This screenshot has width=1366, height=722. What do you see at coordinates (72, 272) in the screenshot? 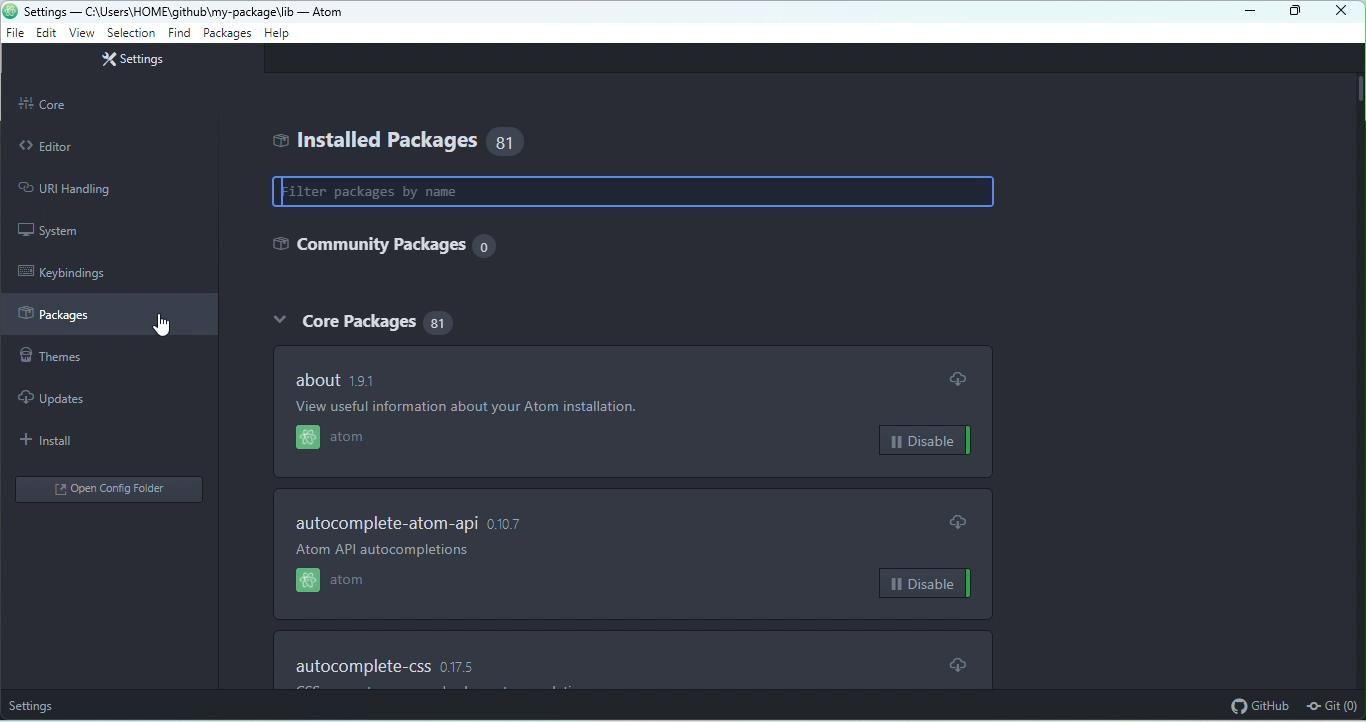
I see `keybindings` at bounding box center [72, 272].